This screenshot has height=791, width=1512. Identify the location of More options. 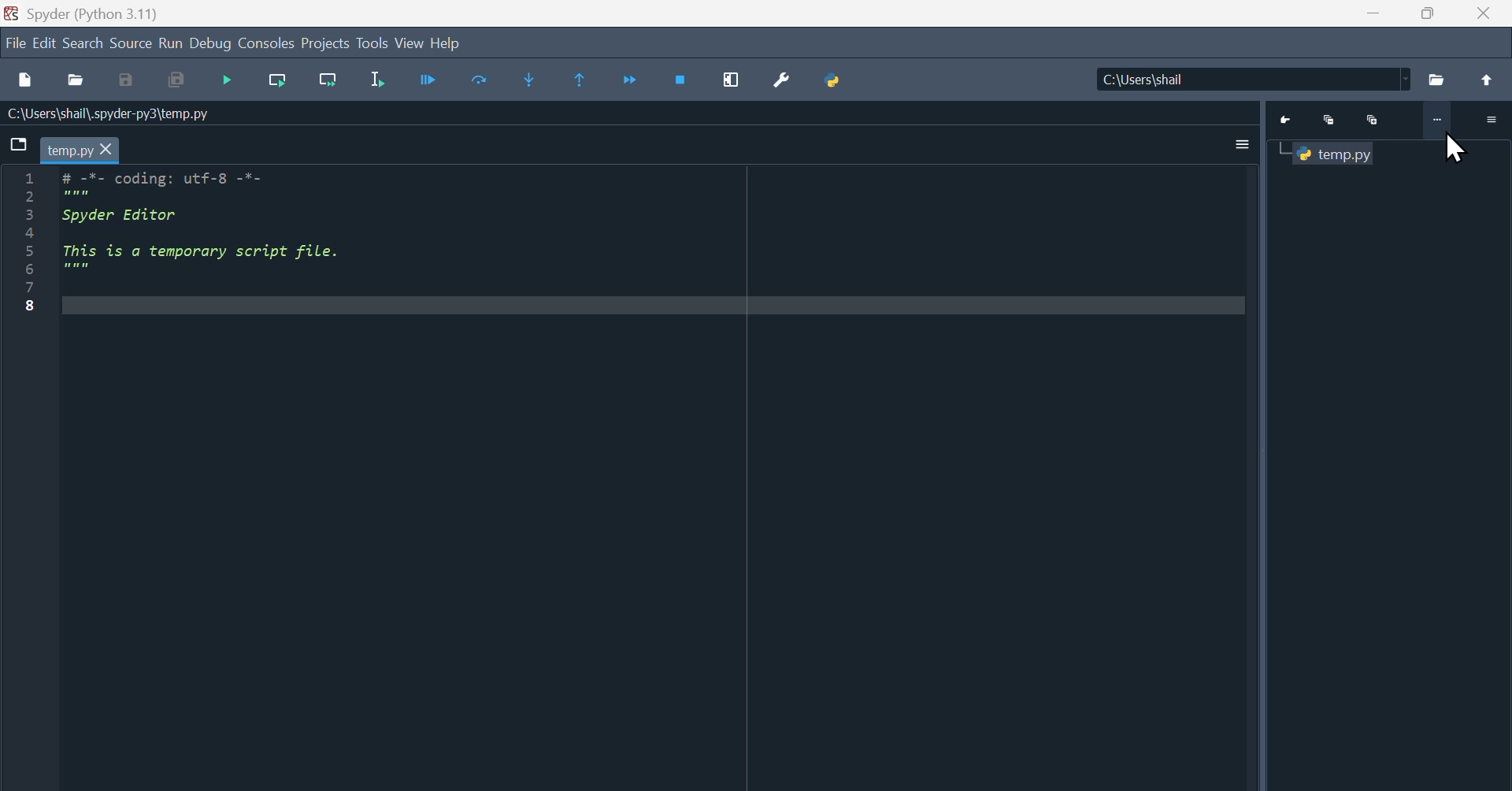
(1488, 119).